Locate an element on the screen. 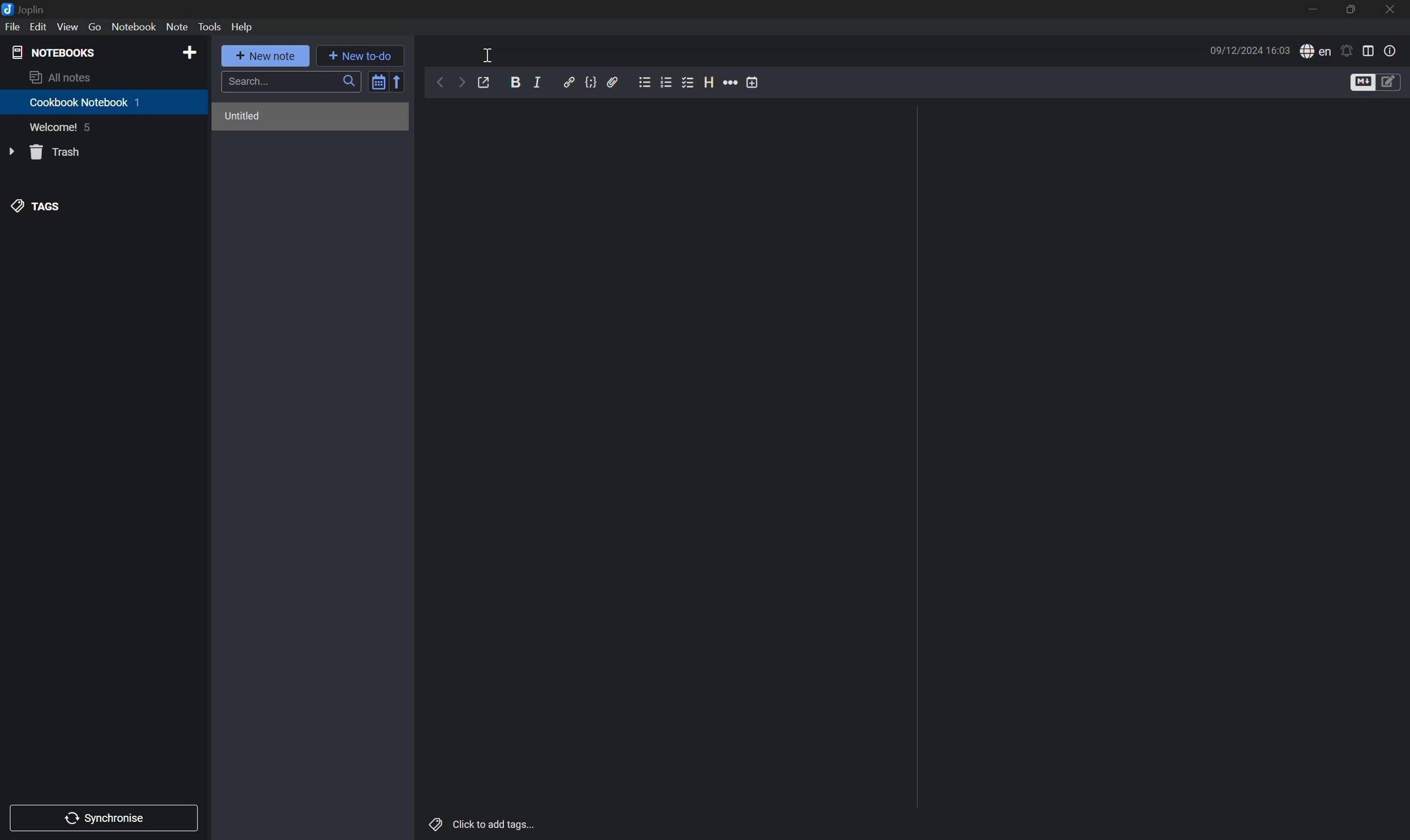 Image resolution: width=1410 pixels, height=840 pixels. Set alarm is located at coordinates (1349, 50).